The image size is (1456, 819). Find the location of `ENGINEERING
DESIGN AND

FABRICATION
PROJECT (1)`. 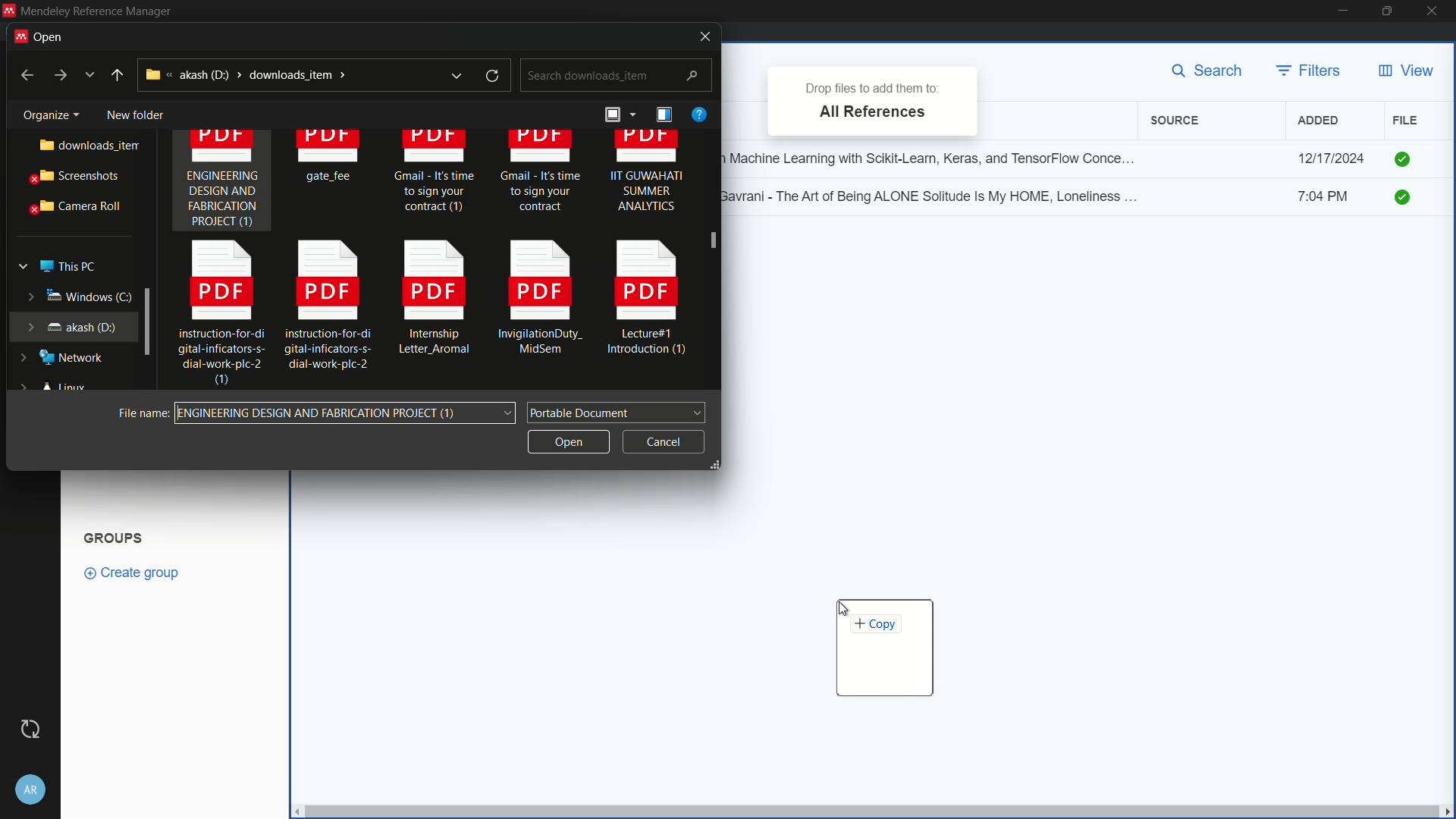

ENGINEERING
DESIGN AND

FABRICATION
PROJECT (1) is located at coordinates (222, 183).